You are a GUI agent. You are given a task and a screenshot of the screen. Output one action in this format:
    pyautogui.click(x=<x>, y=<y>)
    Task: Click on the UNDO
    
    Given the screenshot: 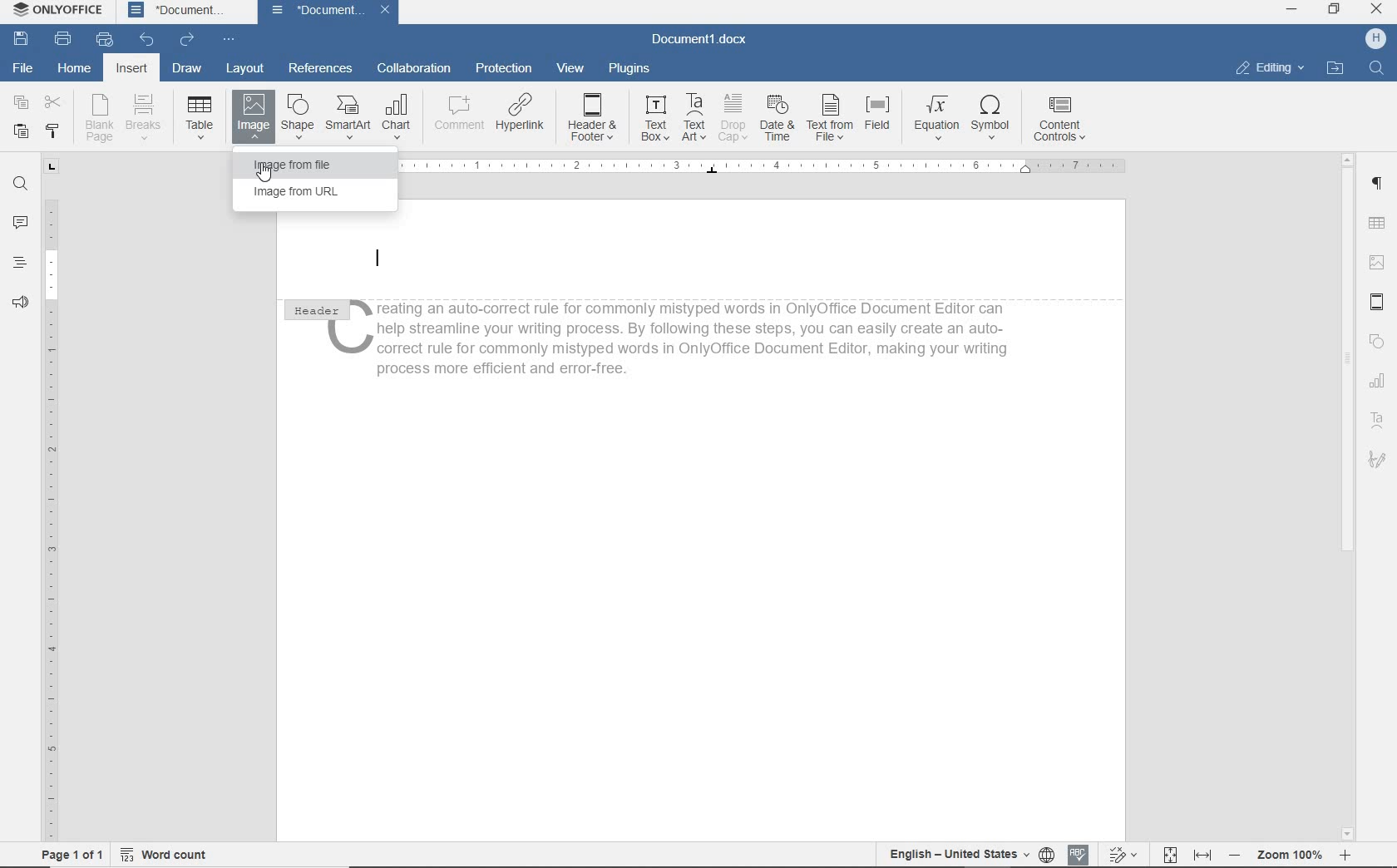 What is the action you would take?
    pyautogui.click(x=148, y=37)
    